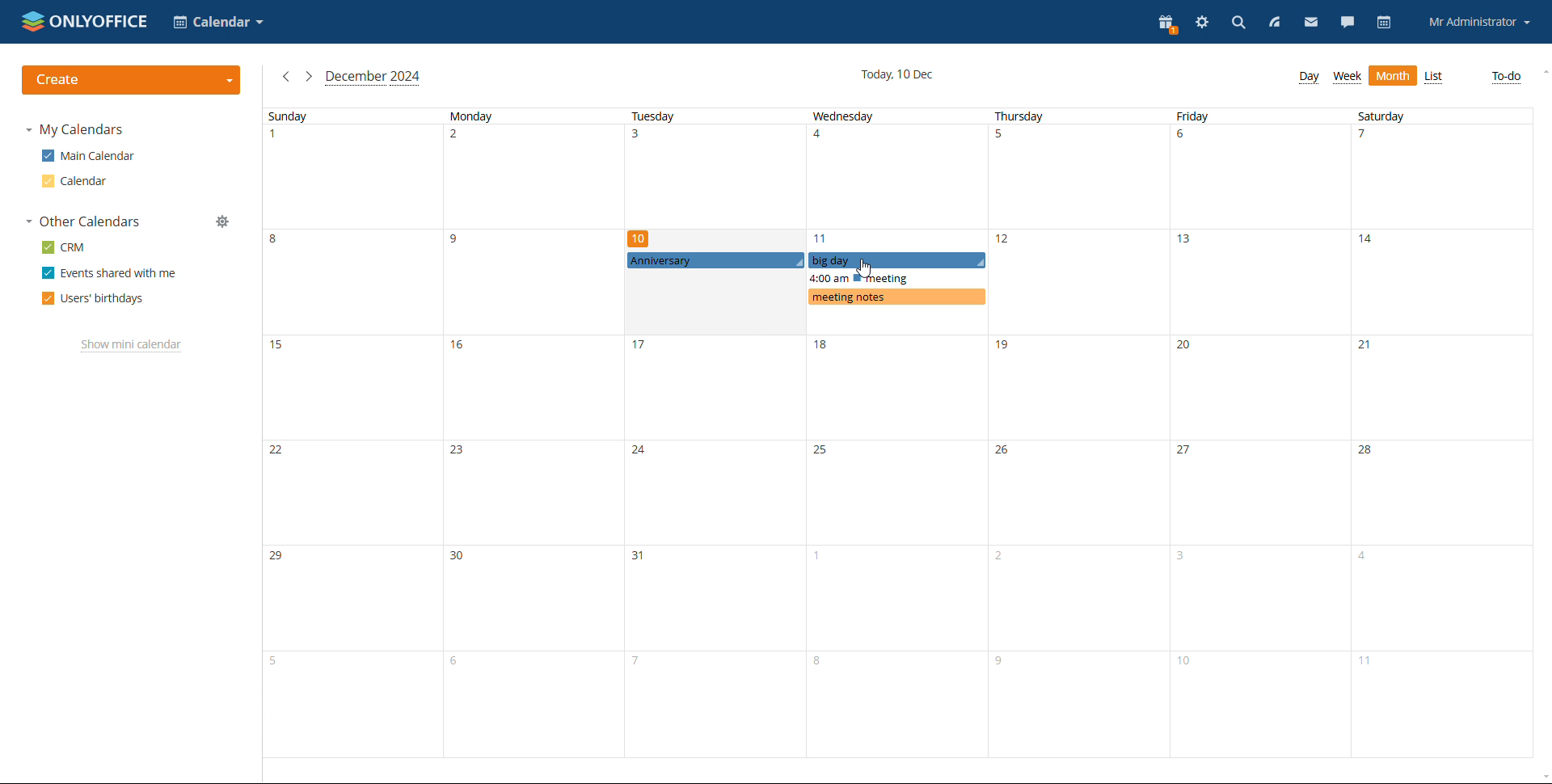  I want to click on week view, so click(1347, 77).